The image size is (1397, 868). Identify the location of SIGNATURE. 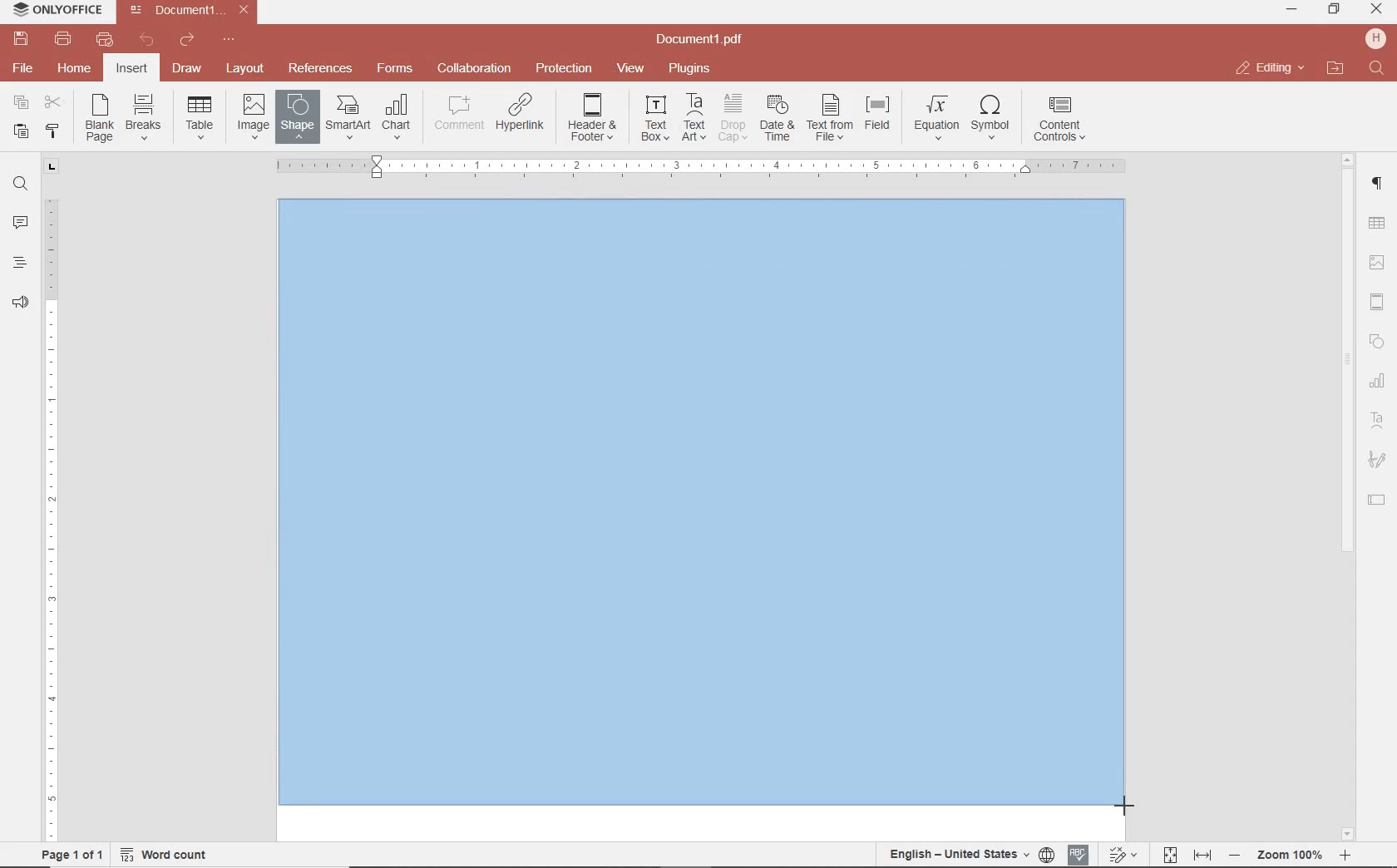
(1377, 461).